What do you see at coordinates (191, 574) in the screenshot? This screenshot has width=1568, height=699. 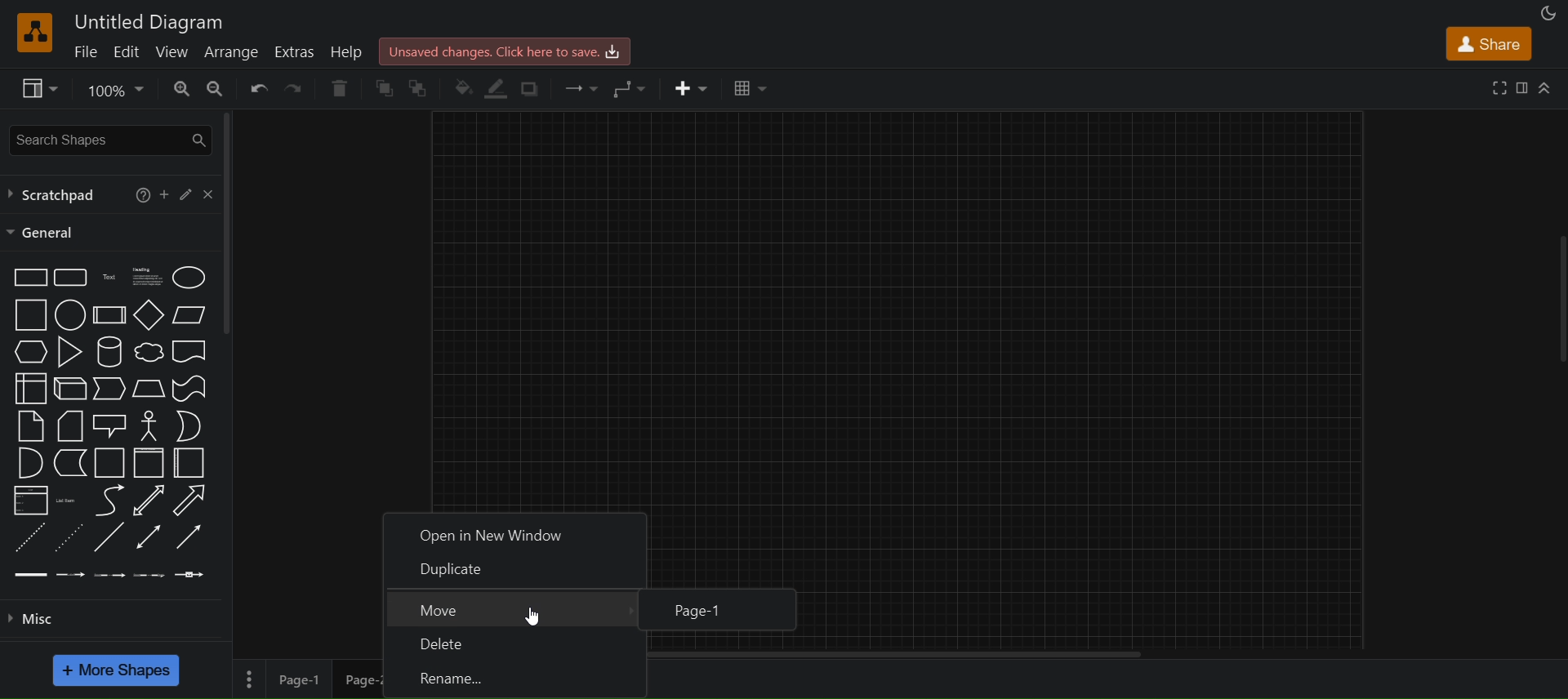 I see `connector with symbol` at bounding box center [191, 574].